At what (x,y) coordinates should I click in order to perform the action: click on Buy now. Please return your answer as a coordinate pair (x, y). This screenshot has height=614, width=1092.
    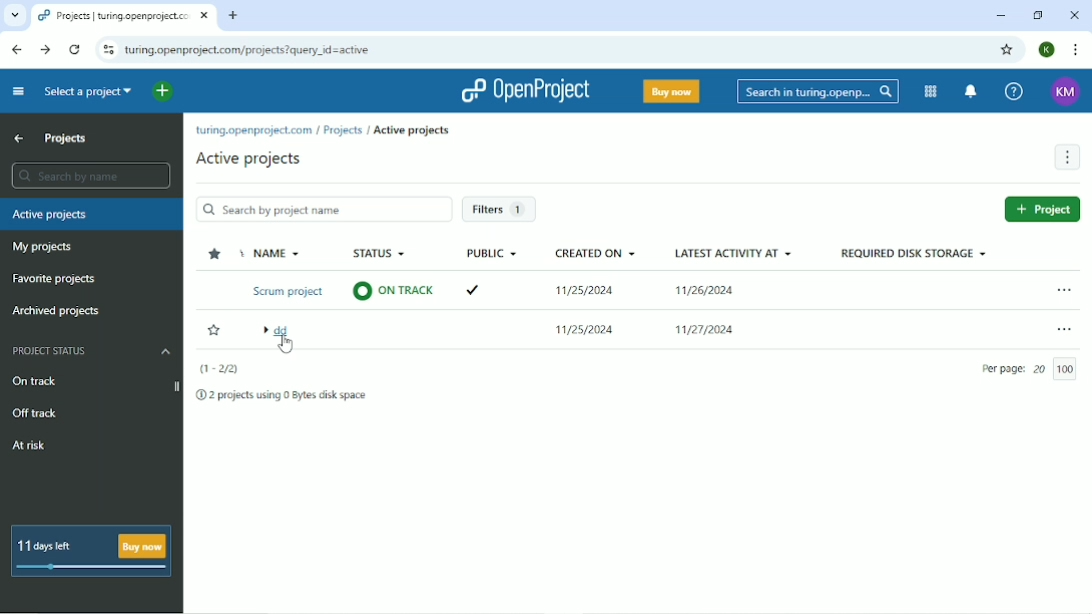
    Looking at the image, I should click on (670, 91).